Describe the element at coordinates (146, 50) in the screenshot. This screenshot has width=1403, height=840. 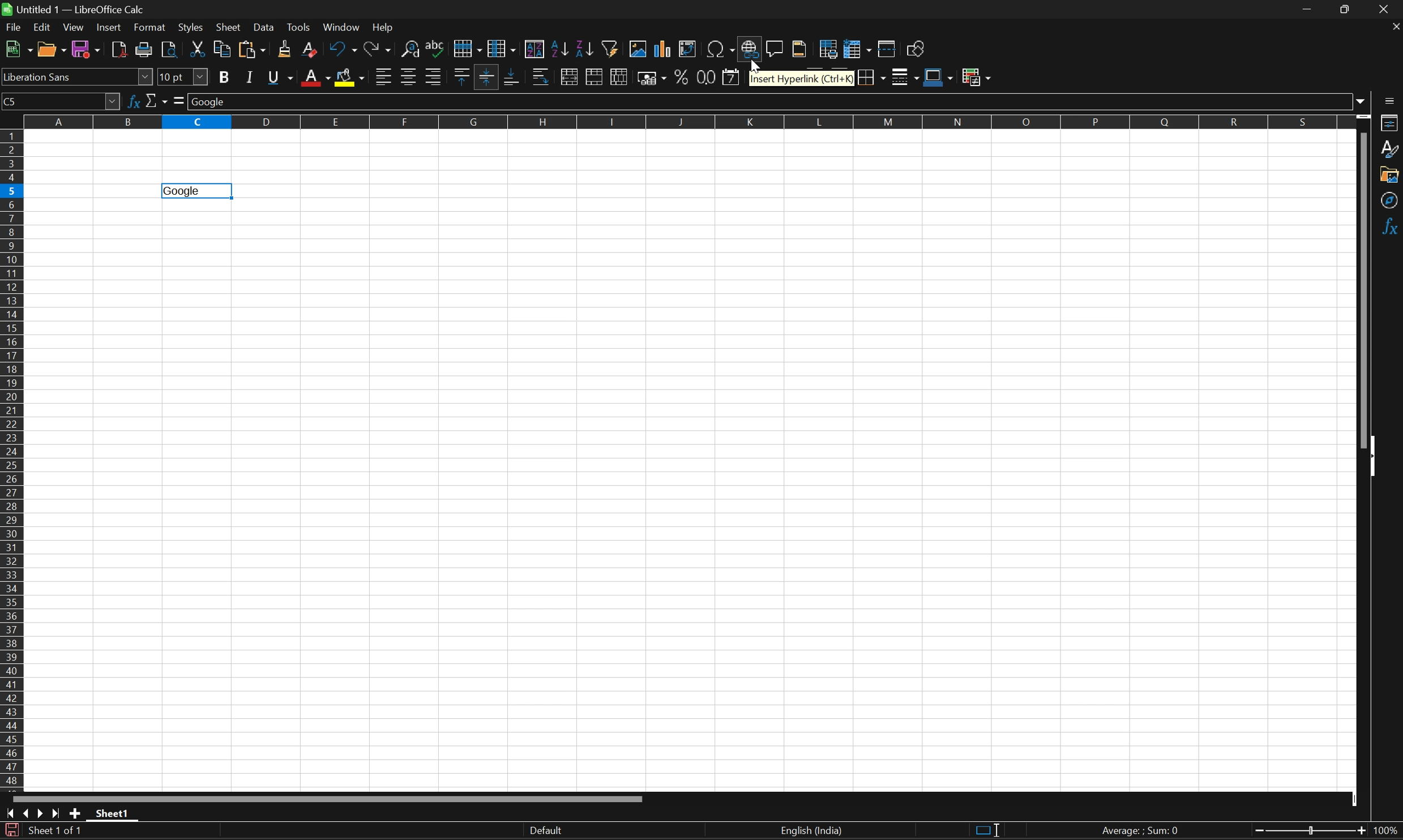
I see `Print` at that location.